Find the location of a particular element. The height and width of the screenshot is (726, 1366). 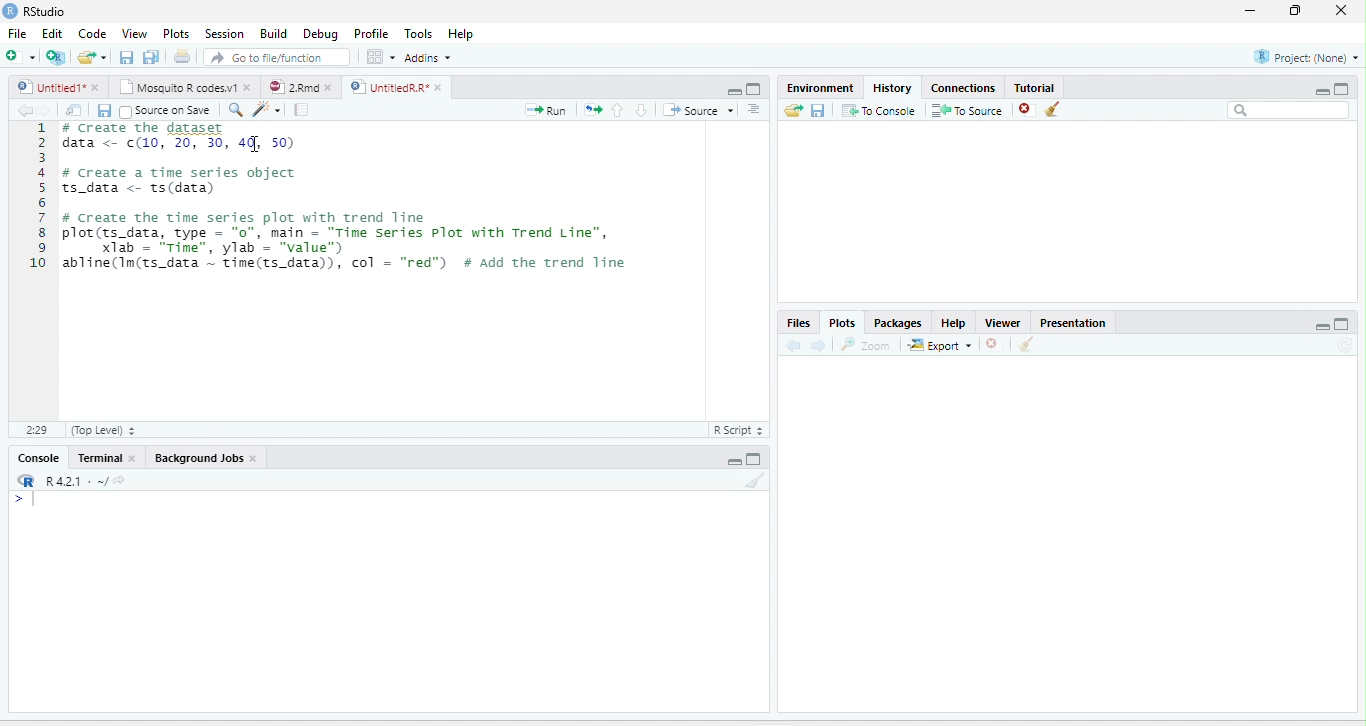

Viewer is located at coordinates (1003, 322).